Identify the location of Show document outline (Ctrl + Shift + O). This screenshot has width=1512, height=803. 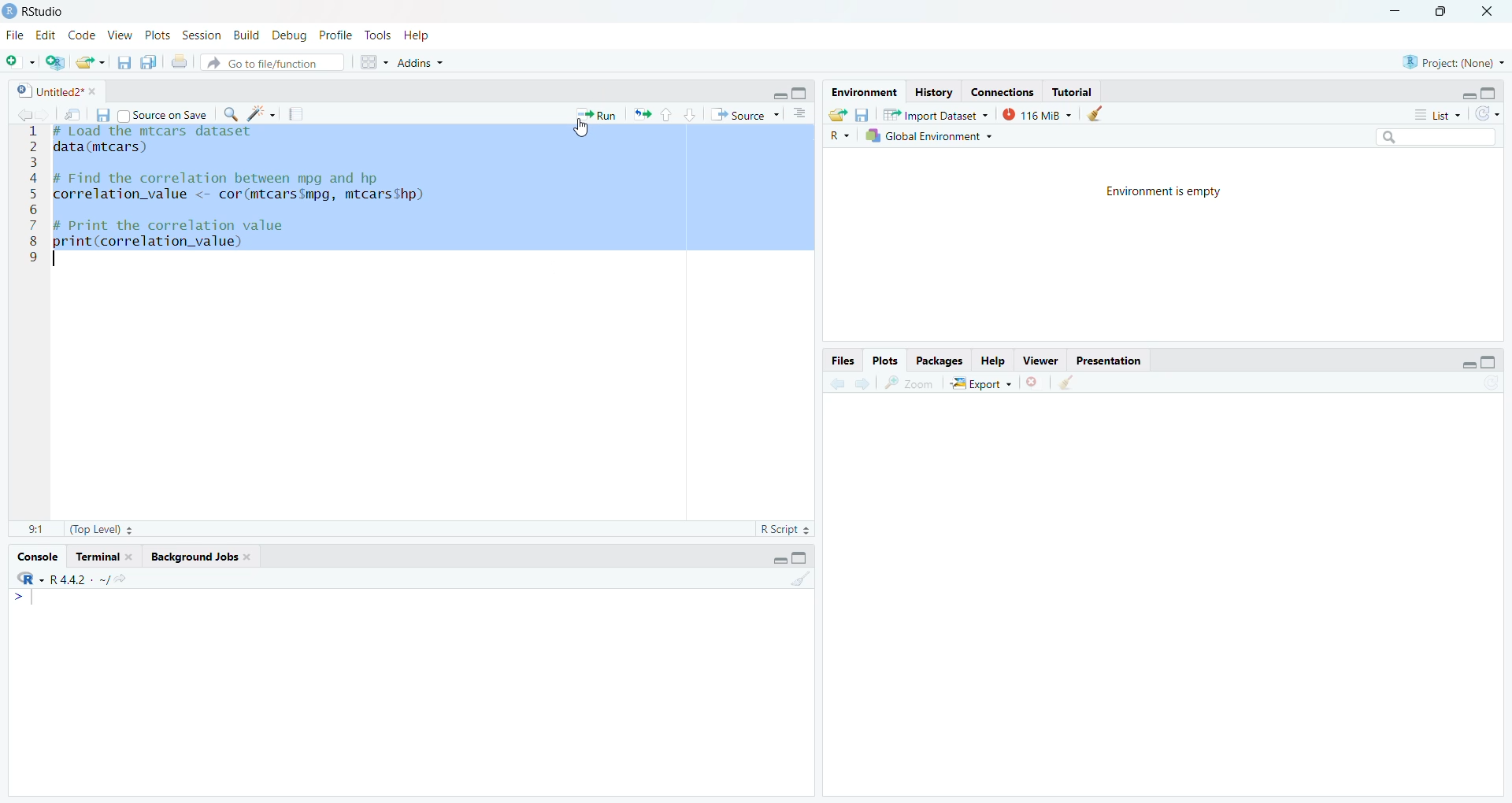
(802, 113).